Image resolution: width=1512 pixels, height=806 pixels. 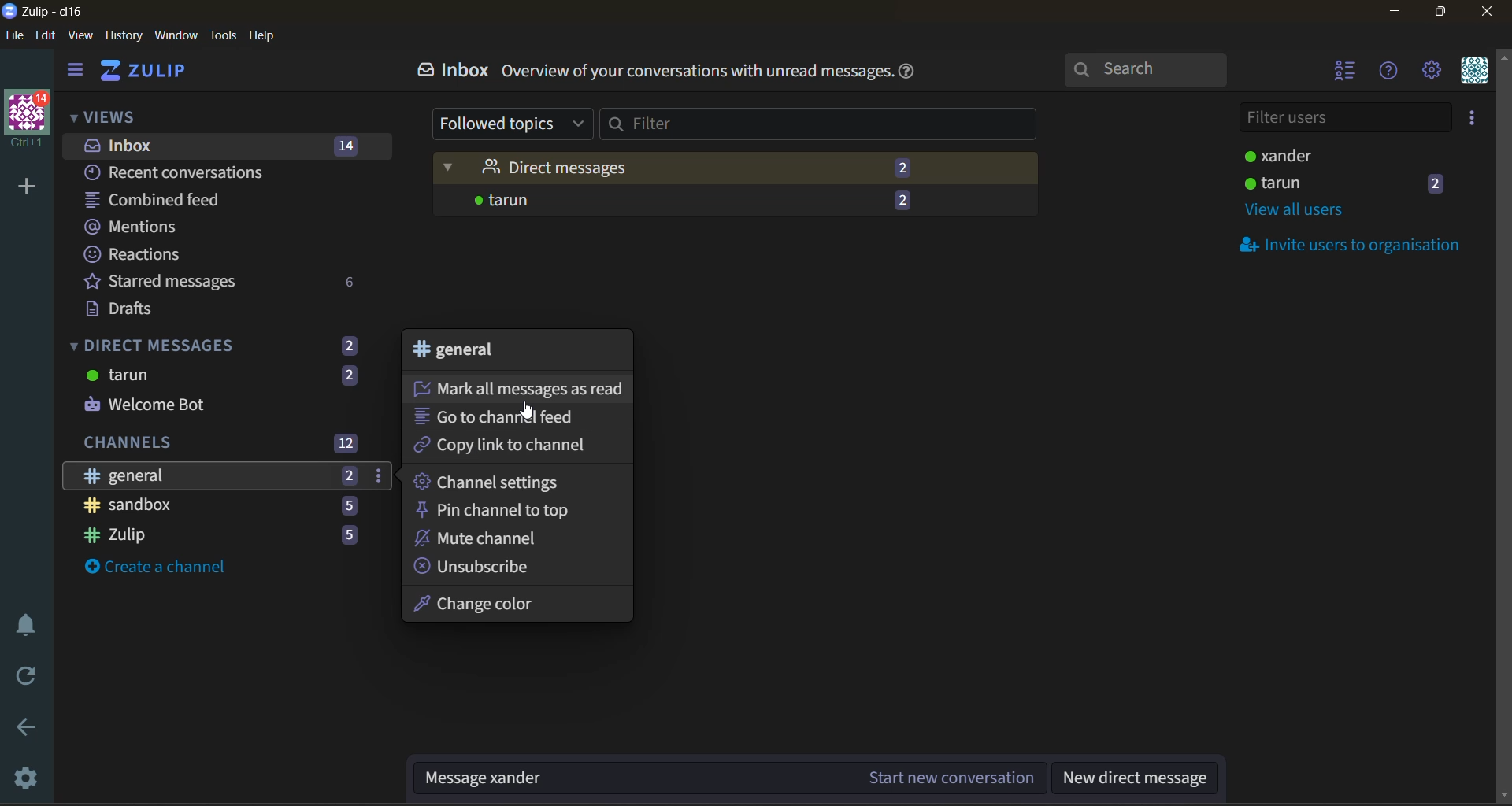 I want to click on filter, so click(x=823, y=126).